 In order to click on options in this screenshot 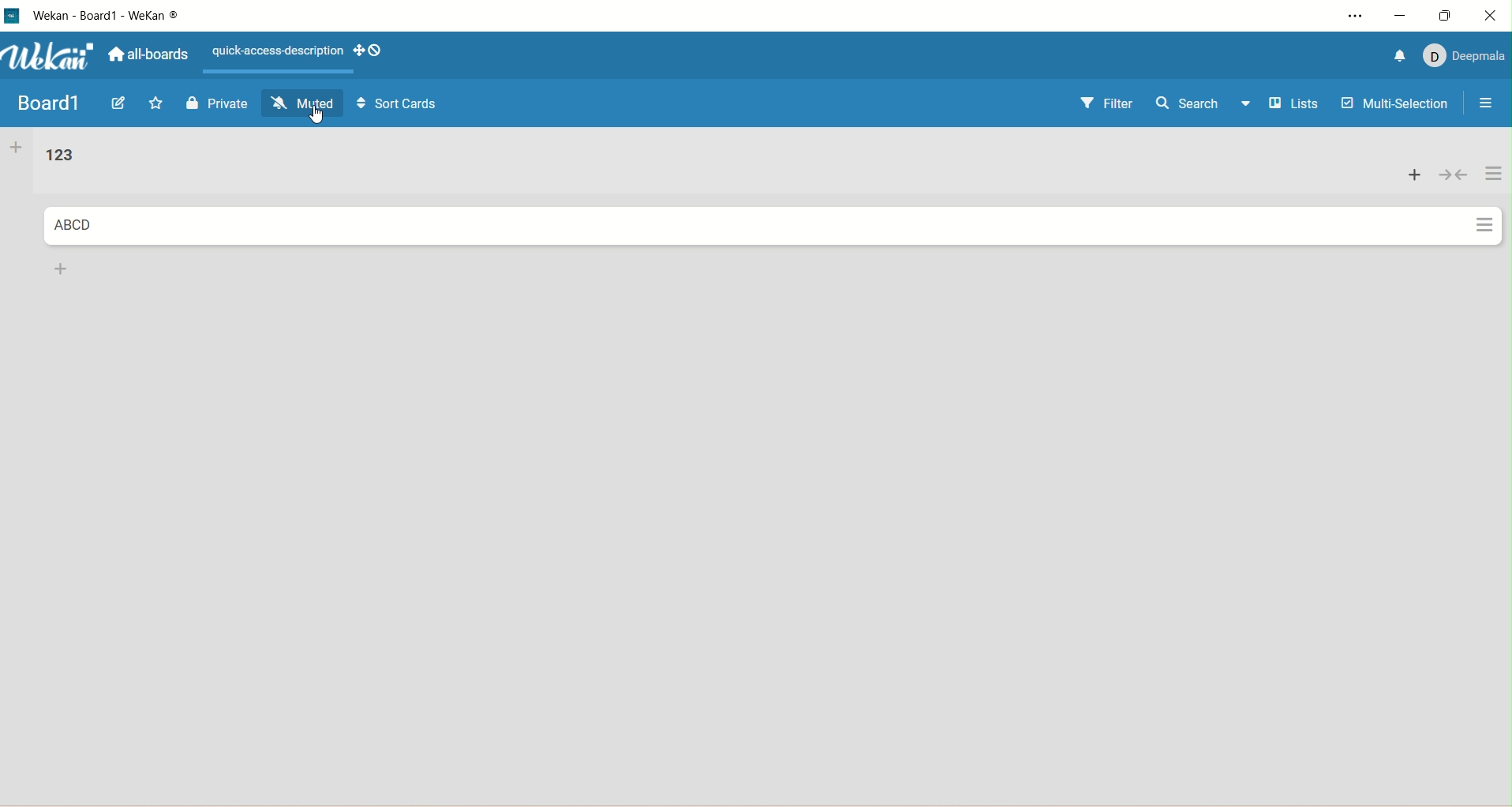, I will do `click(1349, 18)`.